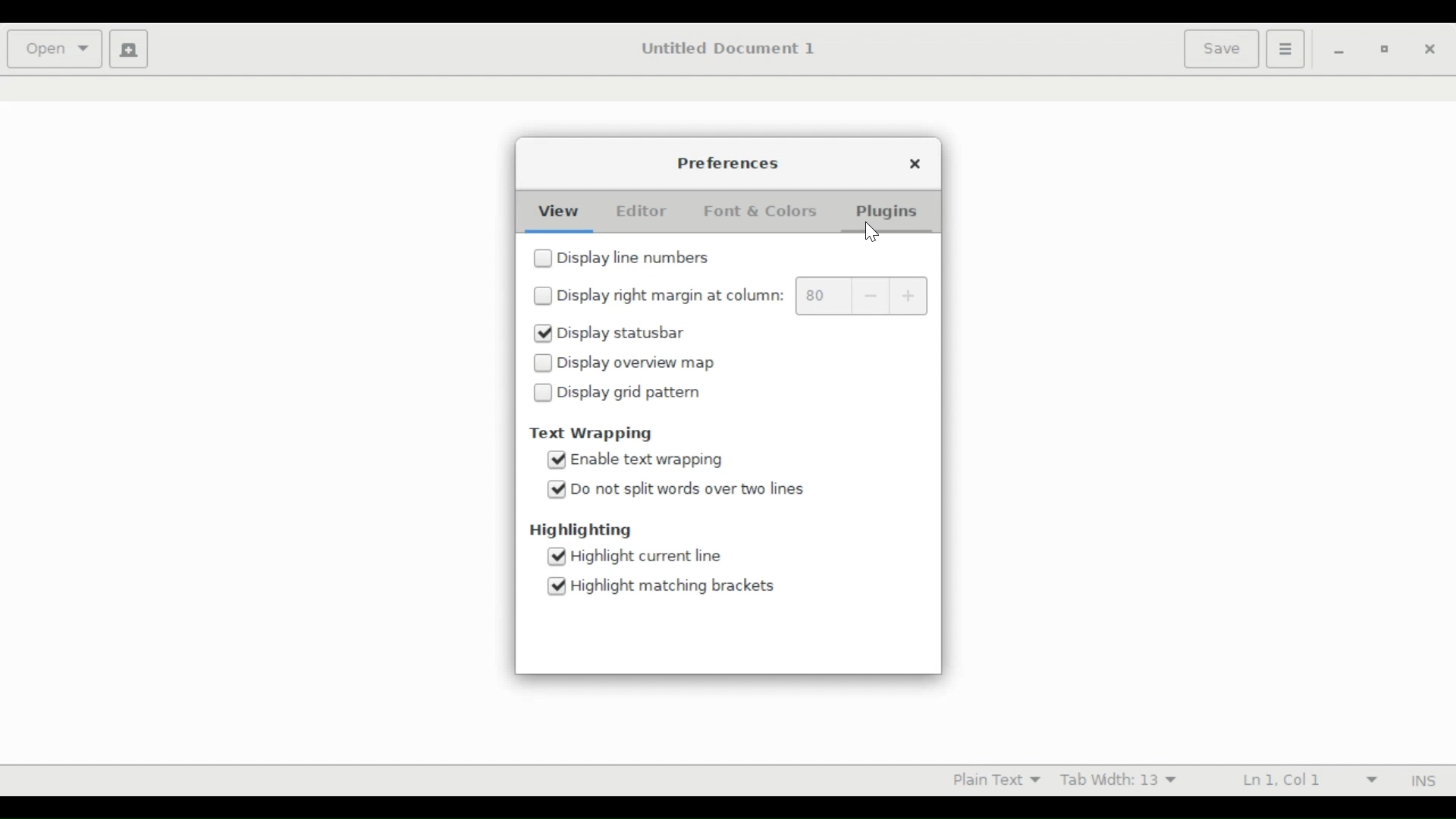 The width and height of the screenshot is (1456, 819). What do you see at coordinates (556, 488) in the screenshot?
I see `Selected` at bounding box center [556, 488].